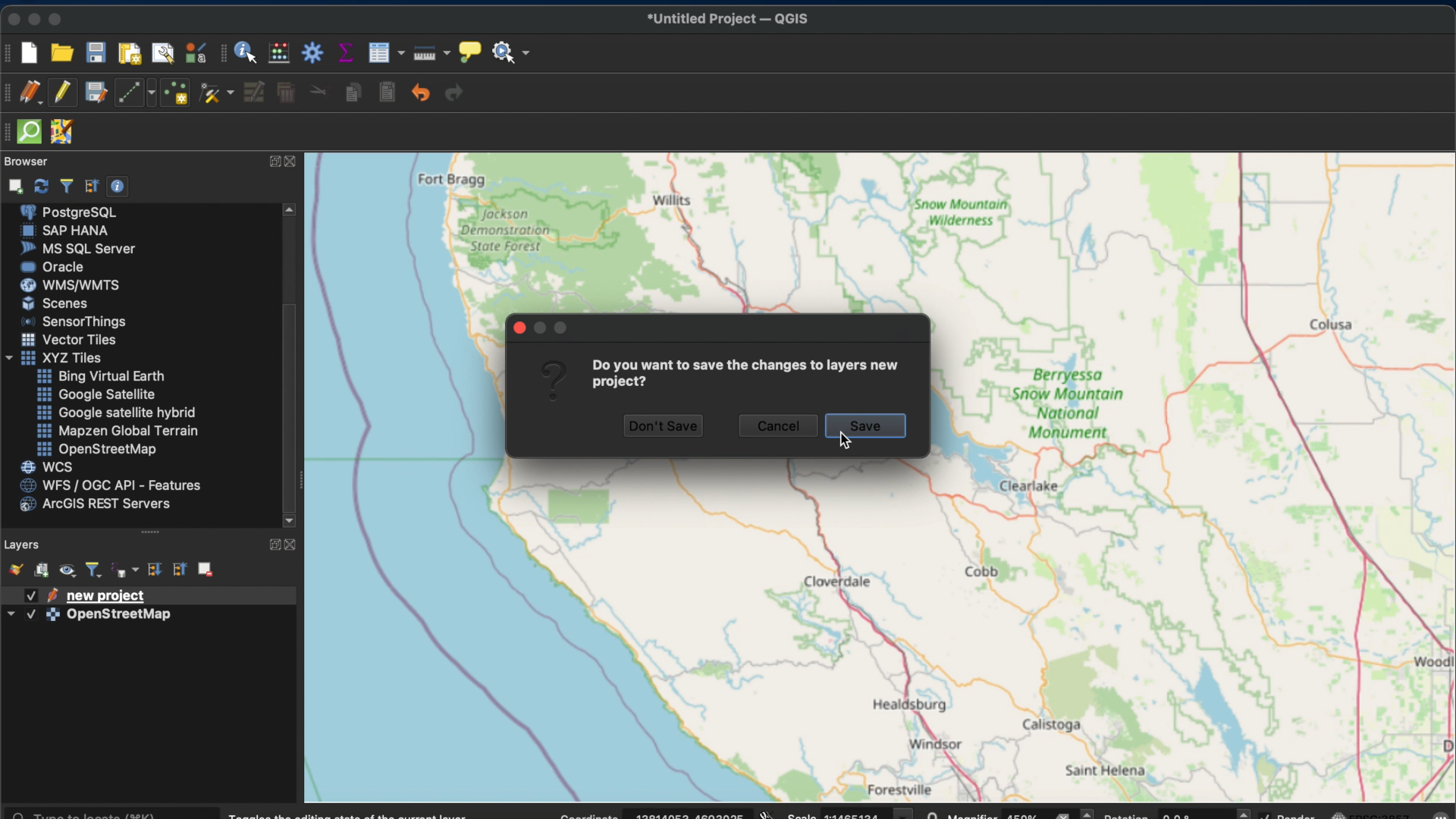 This screenshot has width=1456, height=819. I want to click on copy features, so click(356, 93).